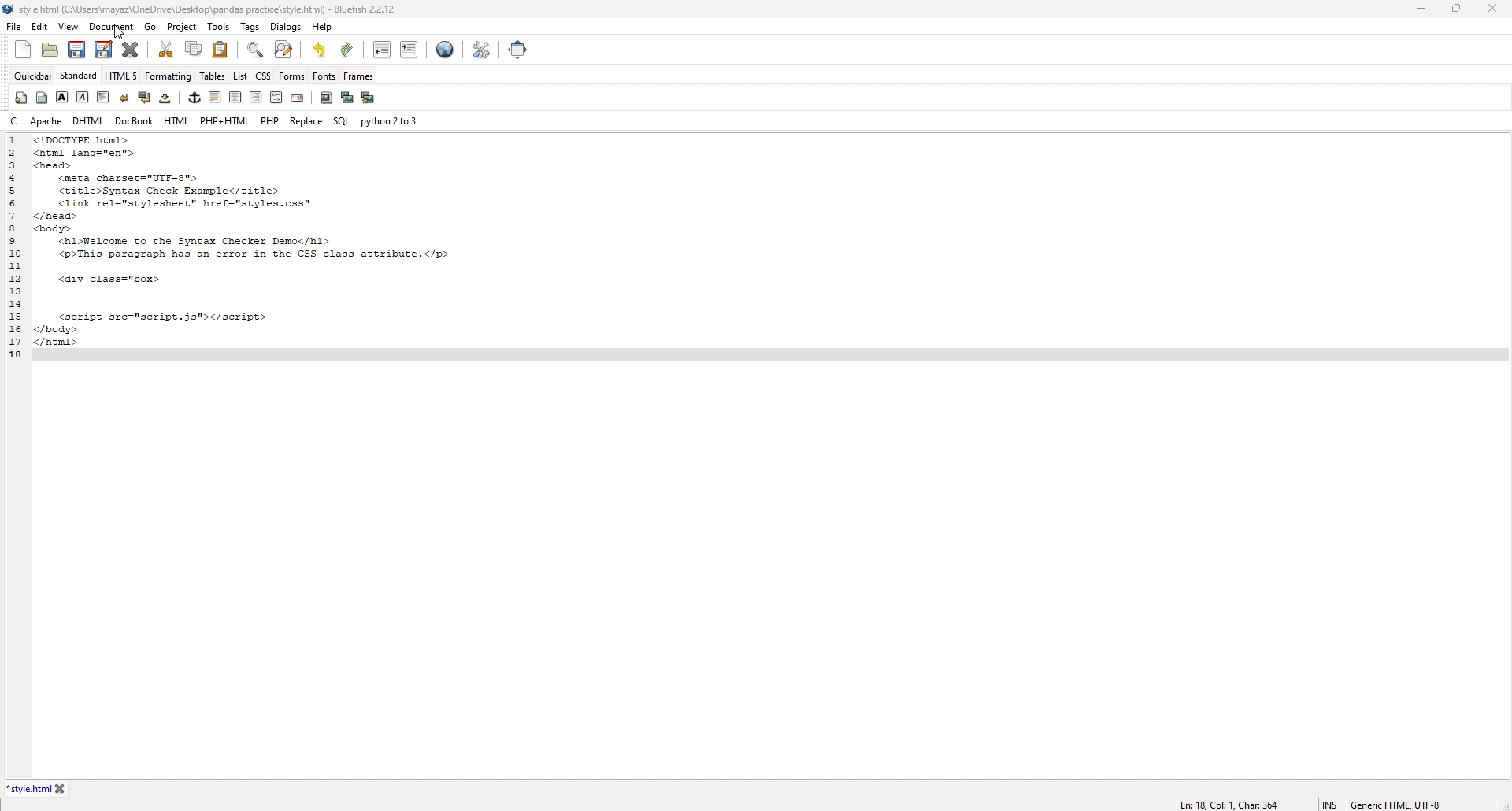  I want to click on center, so click(236, 96).